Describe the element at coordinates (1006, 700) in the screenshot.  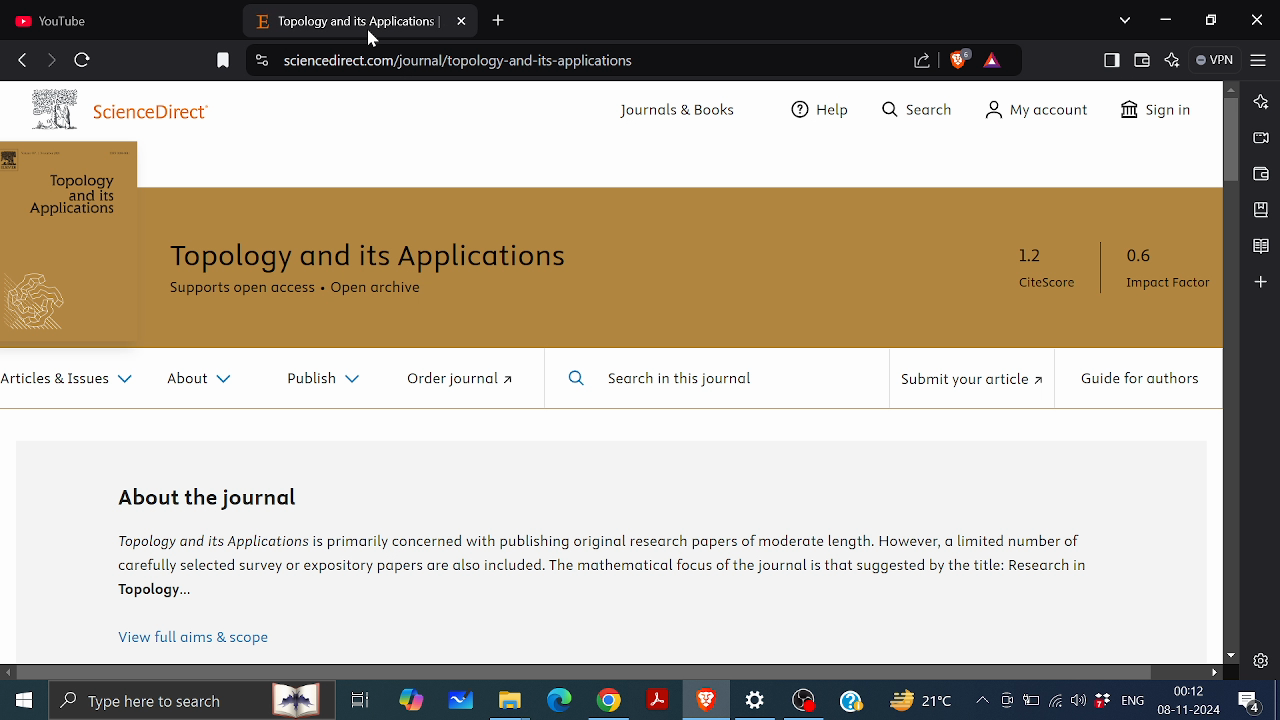
I see `Meet now` at that location.